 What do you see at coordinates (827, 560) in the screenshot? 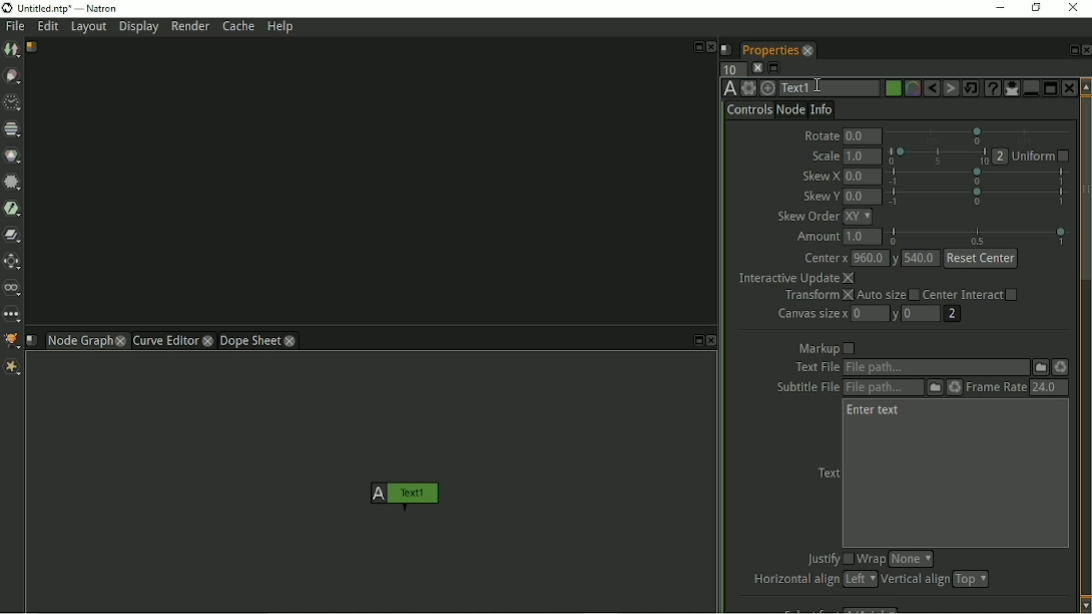
I see `Justify` at bounding box center [827, 560].